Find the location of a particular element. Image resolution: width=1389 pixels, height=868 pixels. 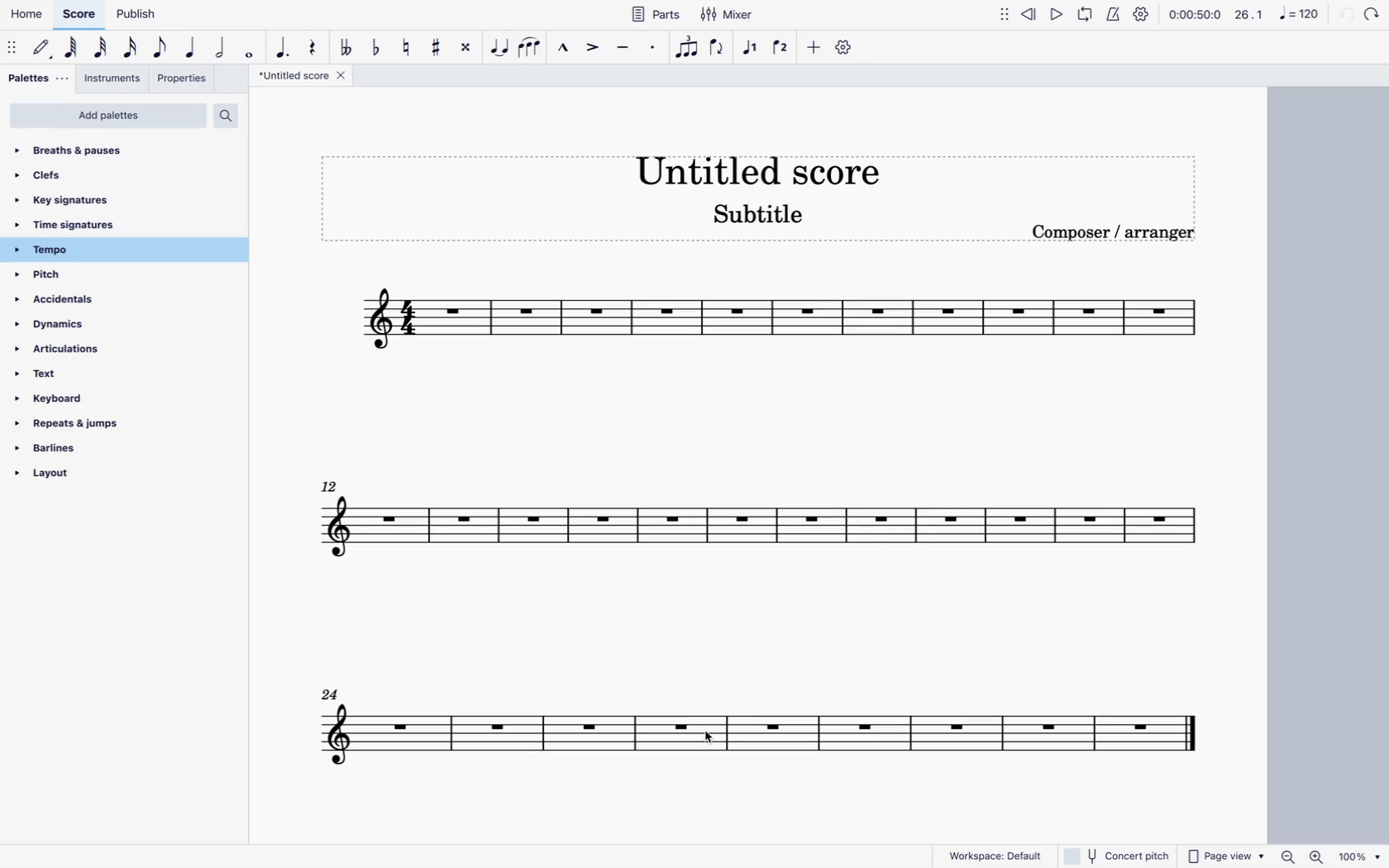

marcato is located at coordinates (564, 49).